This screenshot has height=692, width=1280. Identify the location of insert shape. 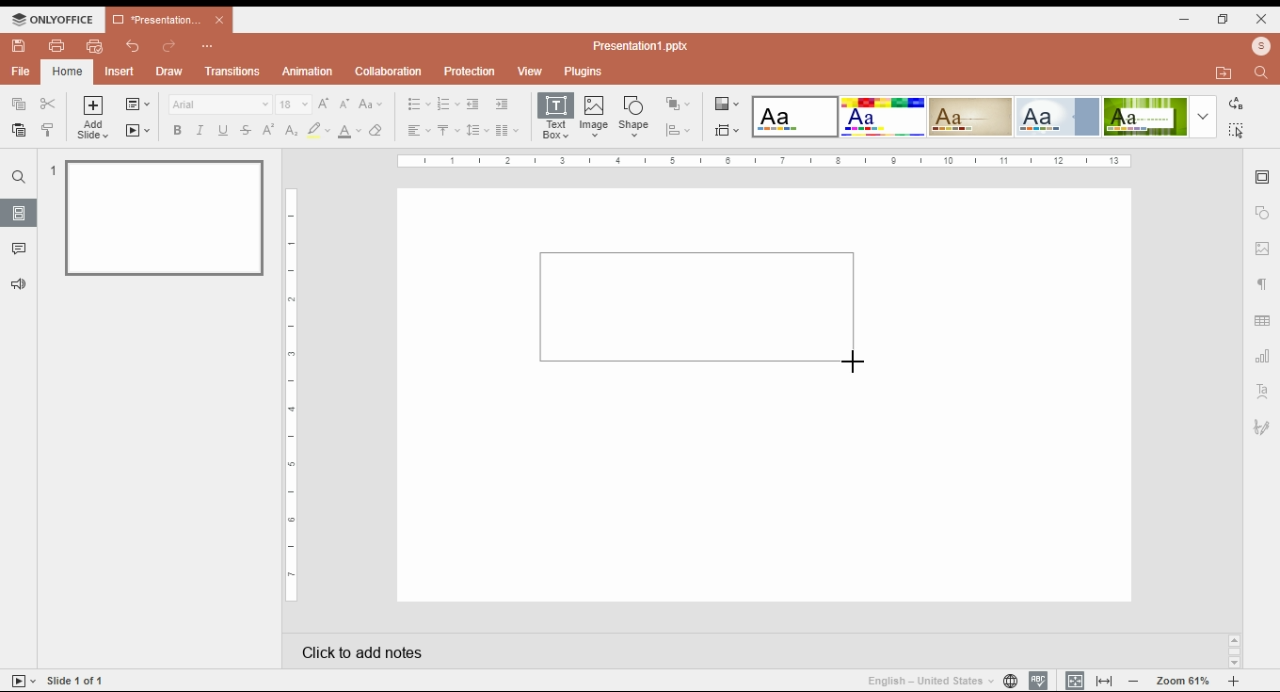
(633, 115).